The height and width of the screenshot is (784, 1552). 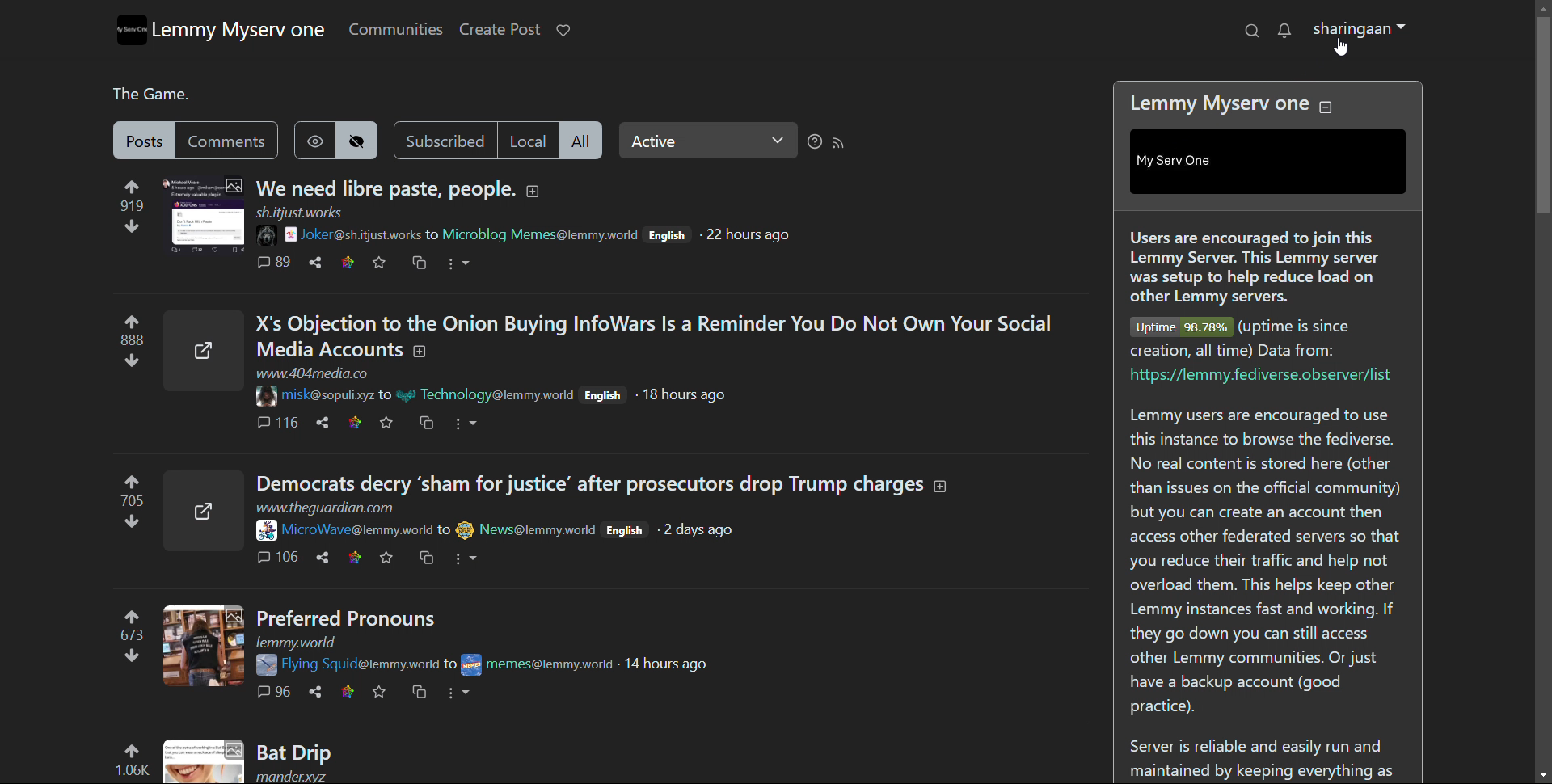 I want to click on Lemmy Myserv one, so click(x=1216, y=107).